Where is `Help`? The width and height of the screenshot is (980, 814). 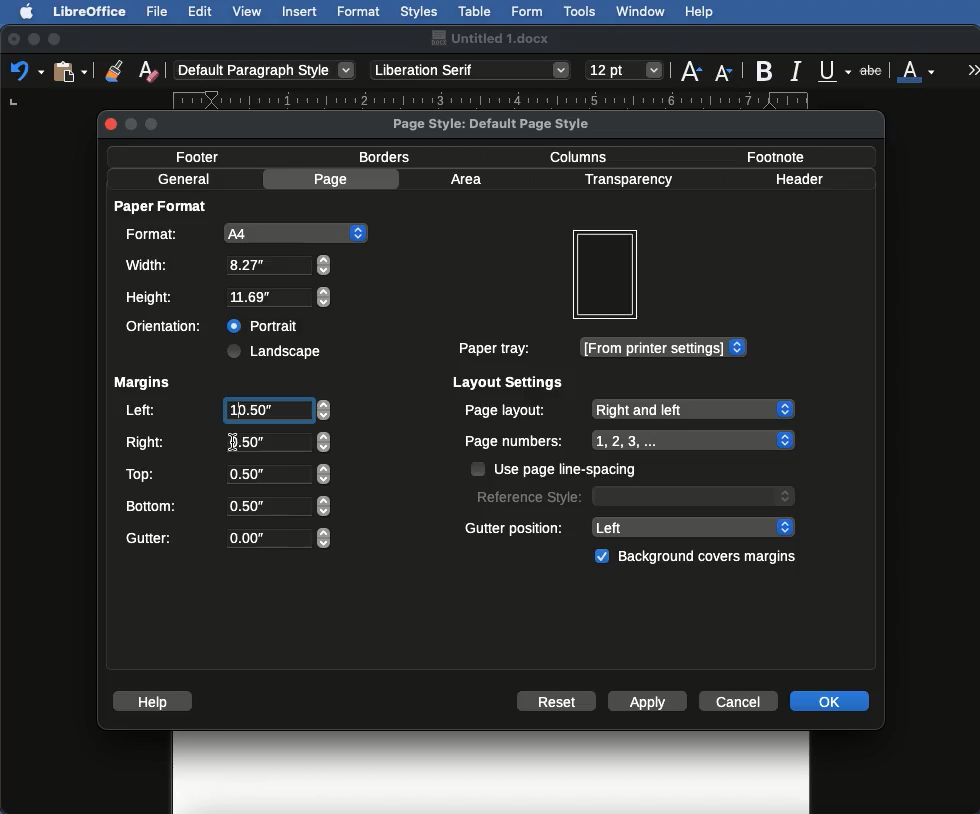
Help is located at coordinates (699, 12).